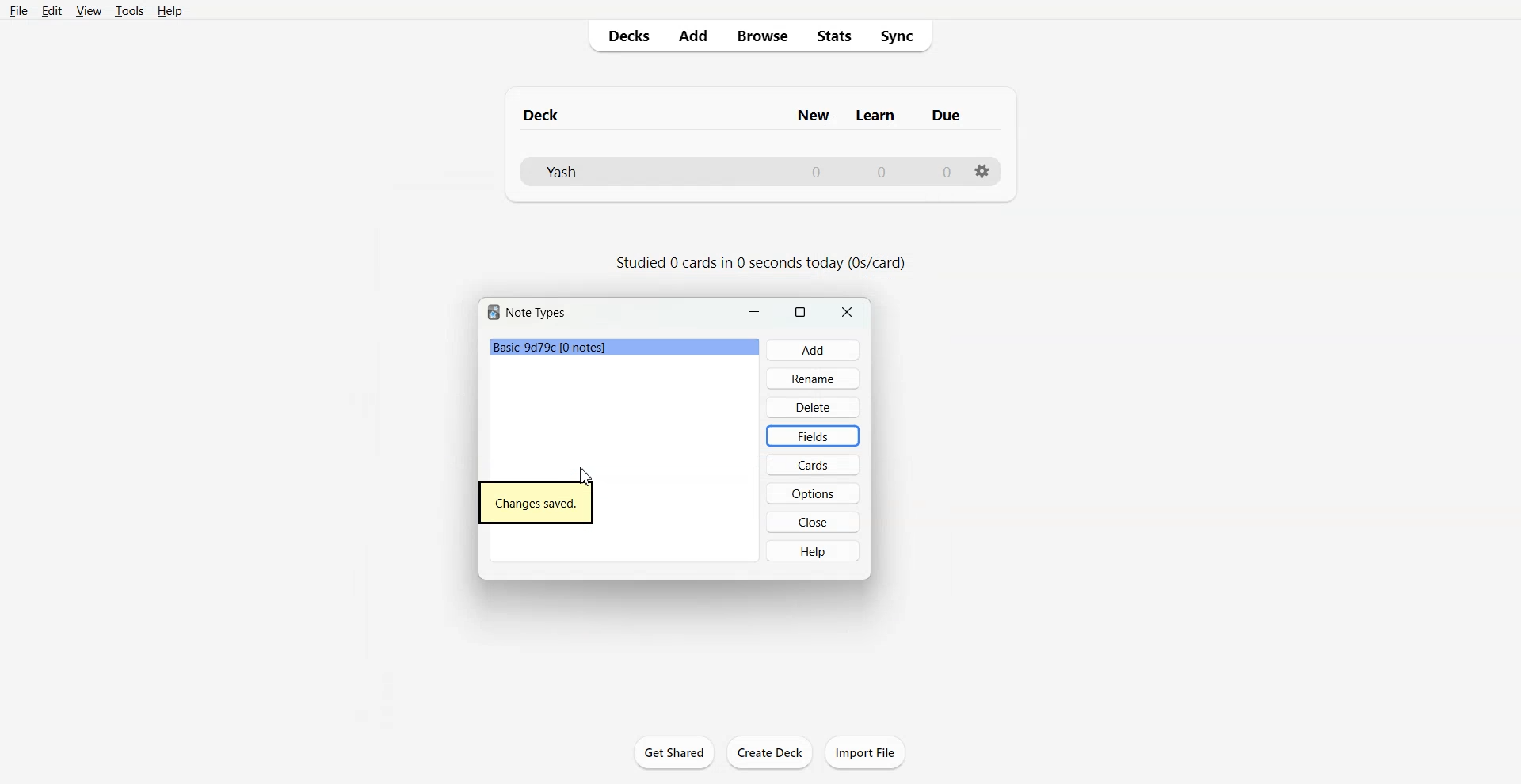 The image size is (1521, 784). Describe the element at coordinates (813, 116) in the screenshot. I see `Column name` at that location.